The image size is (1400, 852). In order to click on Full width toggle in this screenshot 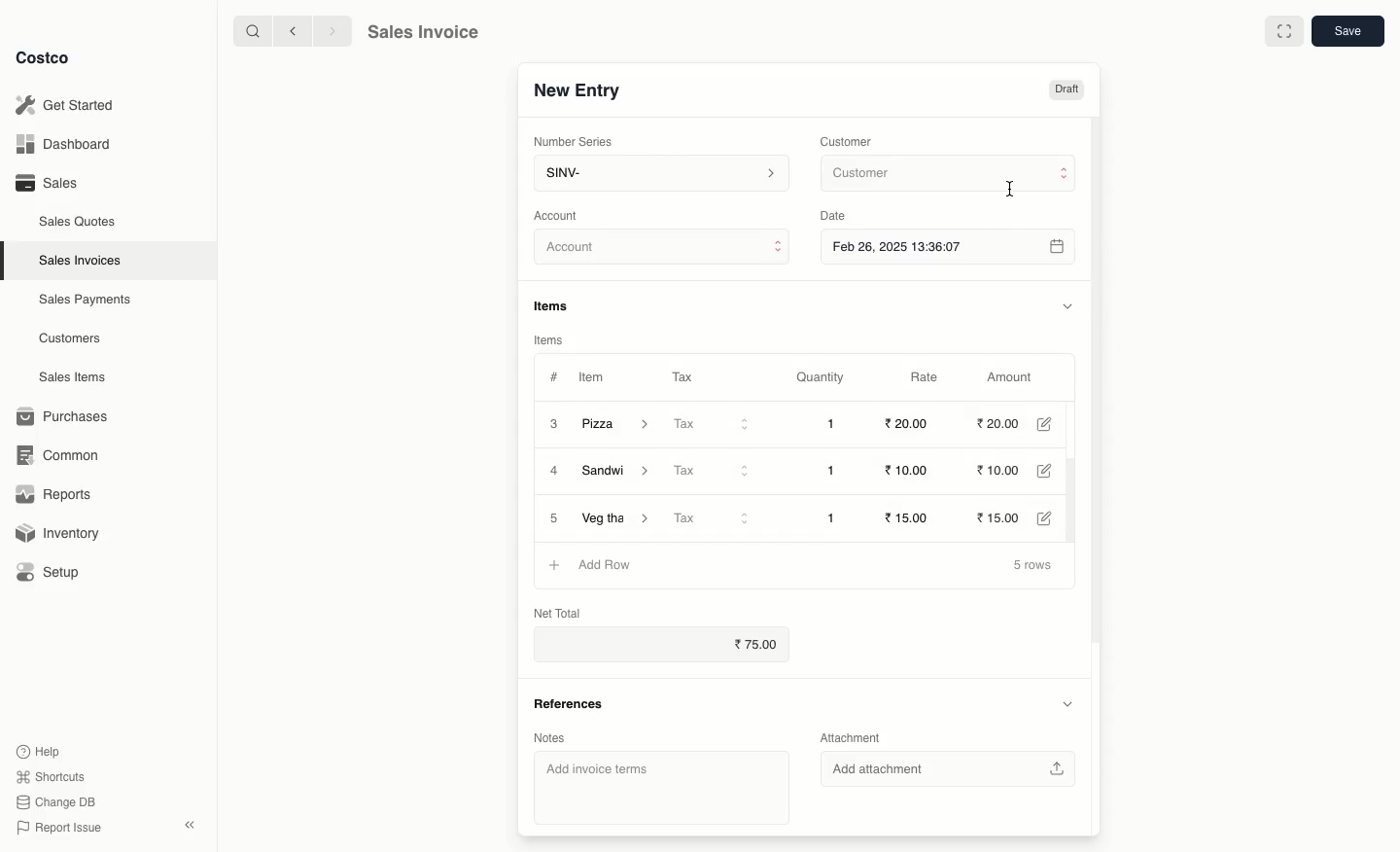, I will do `click(1282, 32)`.